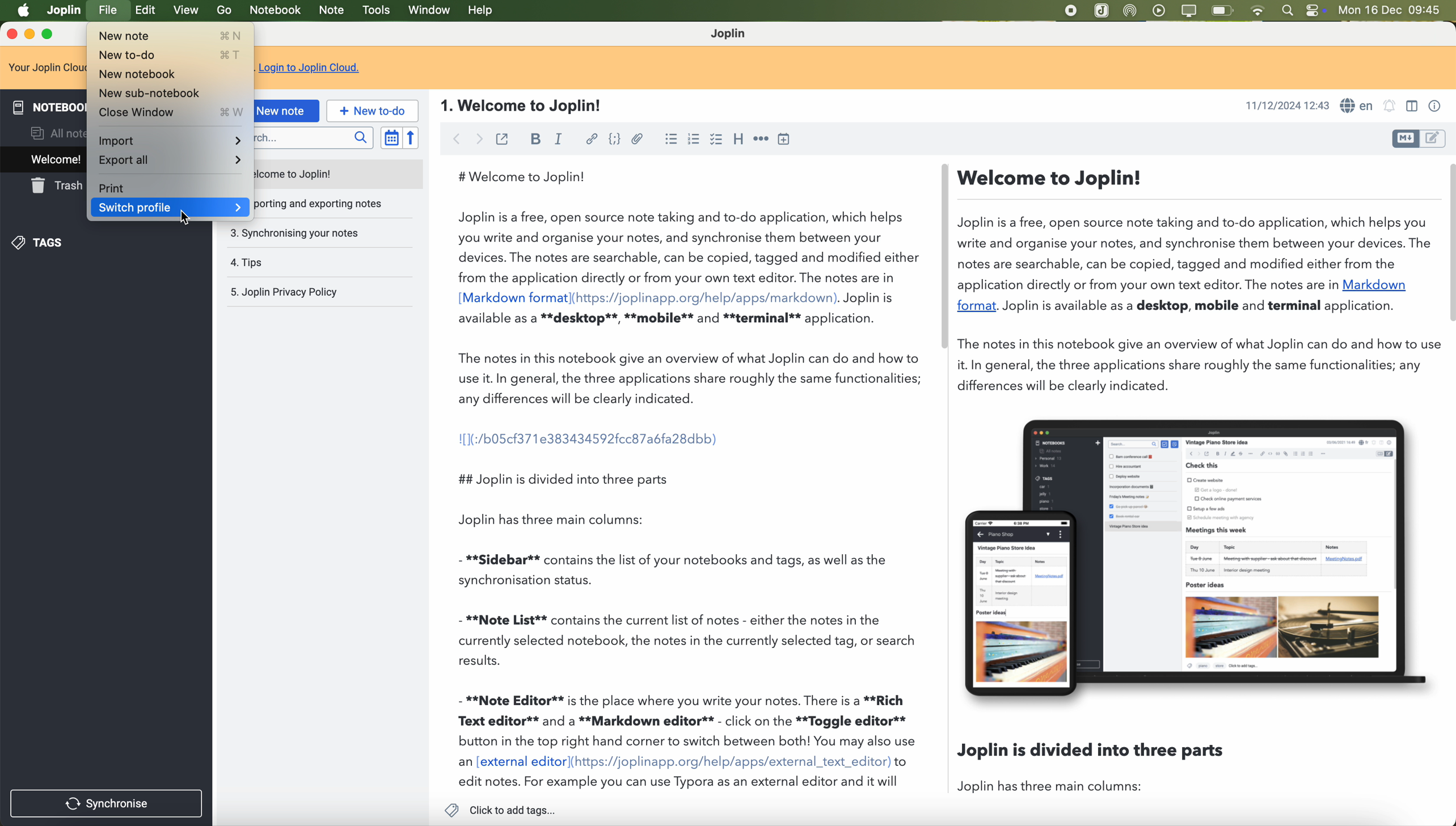  I want to click on New to-do, so click(170, 56).